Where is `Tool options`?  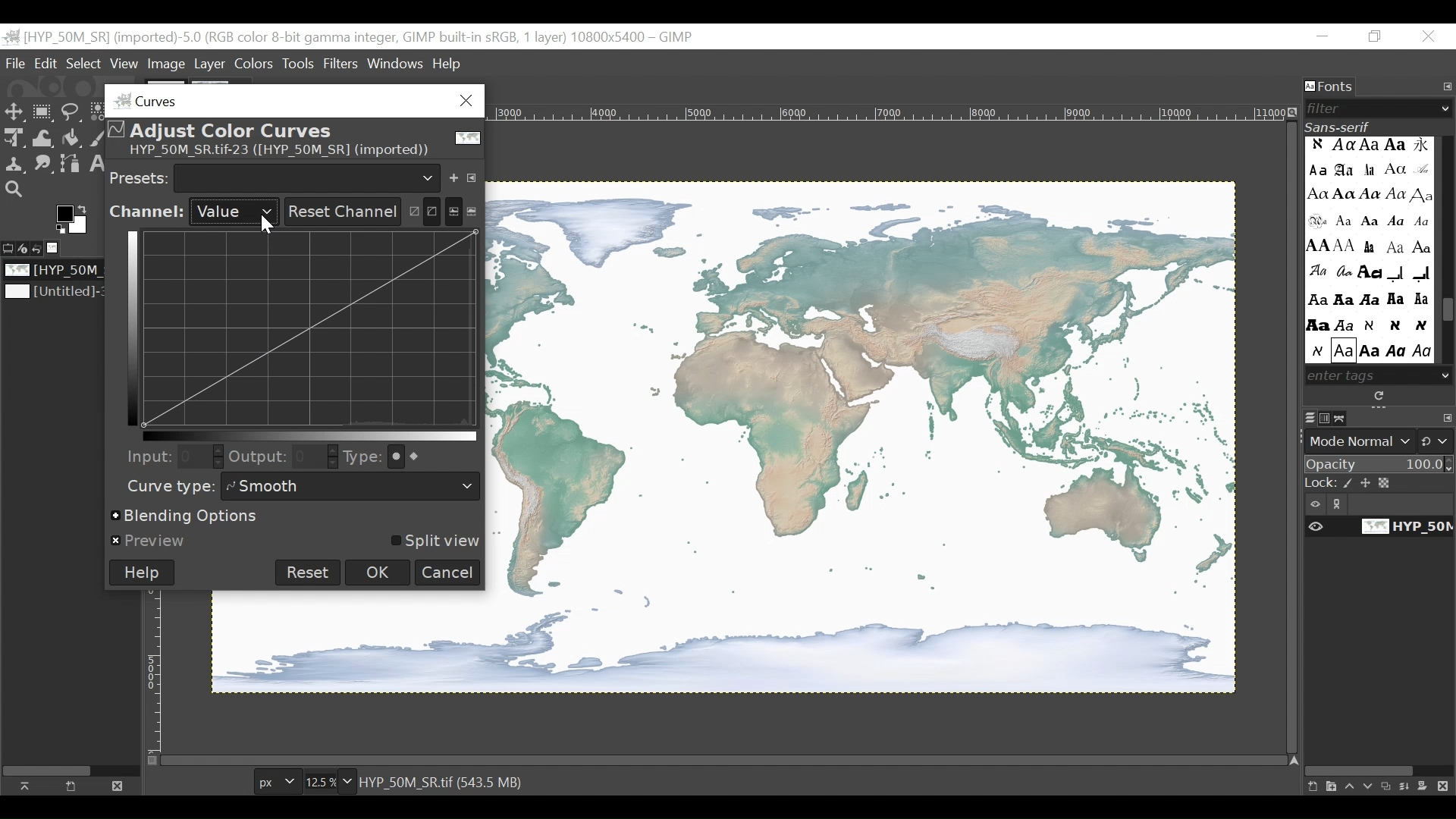
Tool options is located at coordinates (9, 246).